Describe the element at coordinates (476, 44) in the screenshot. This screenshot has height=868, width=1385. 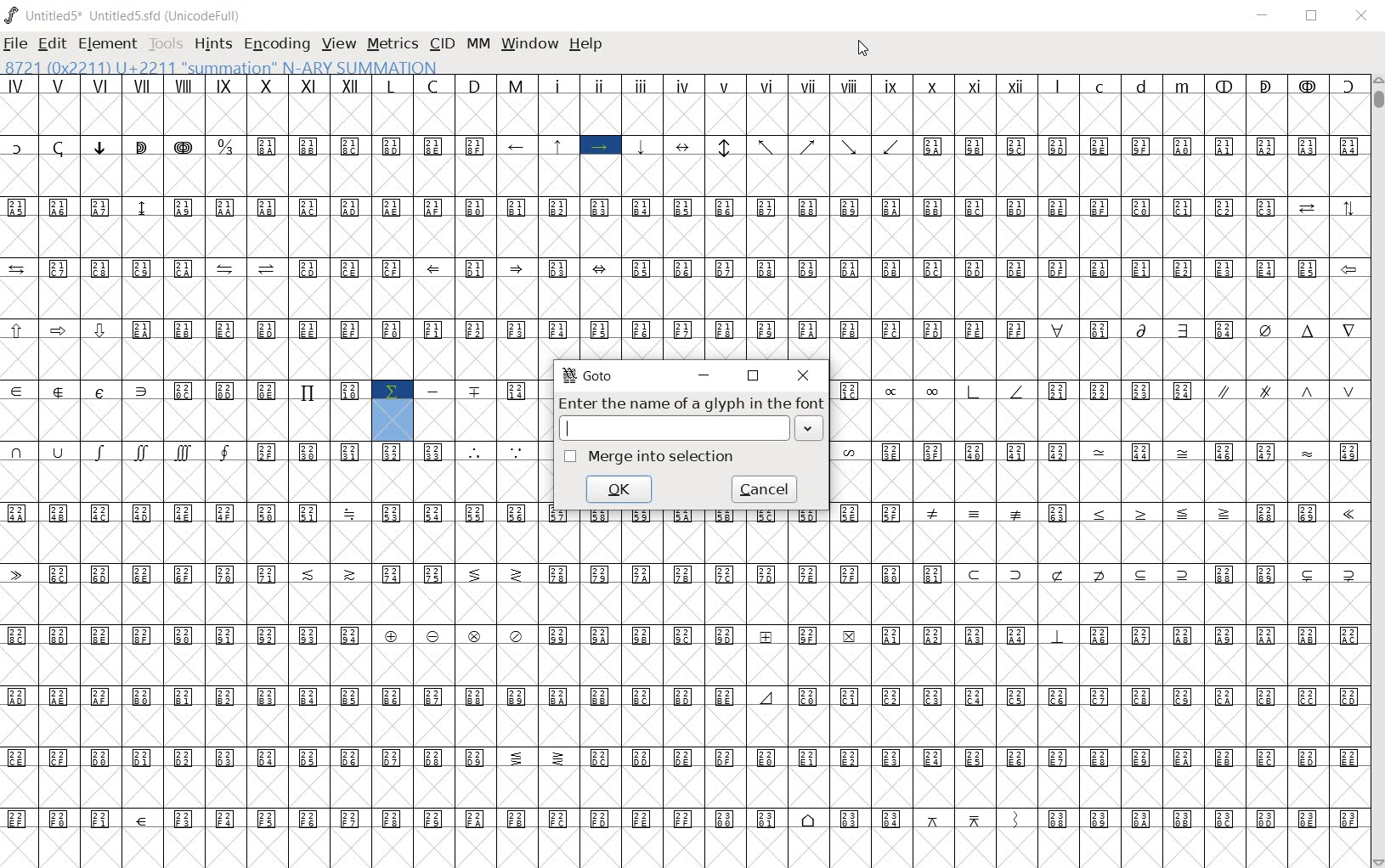
I see `mm` at that location.